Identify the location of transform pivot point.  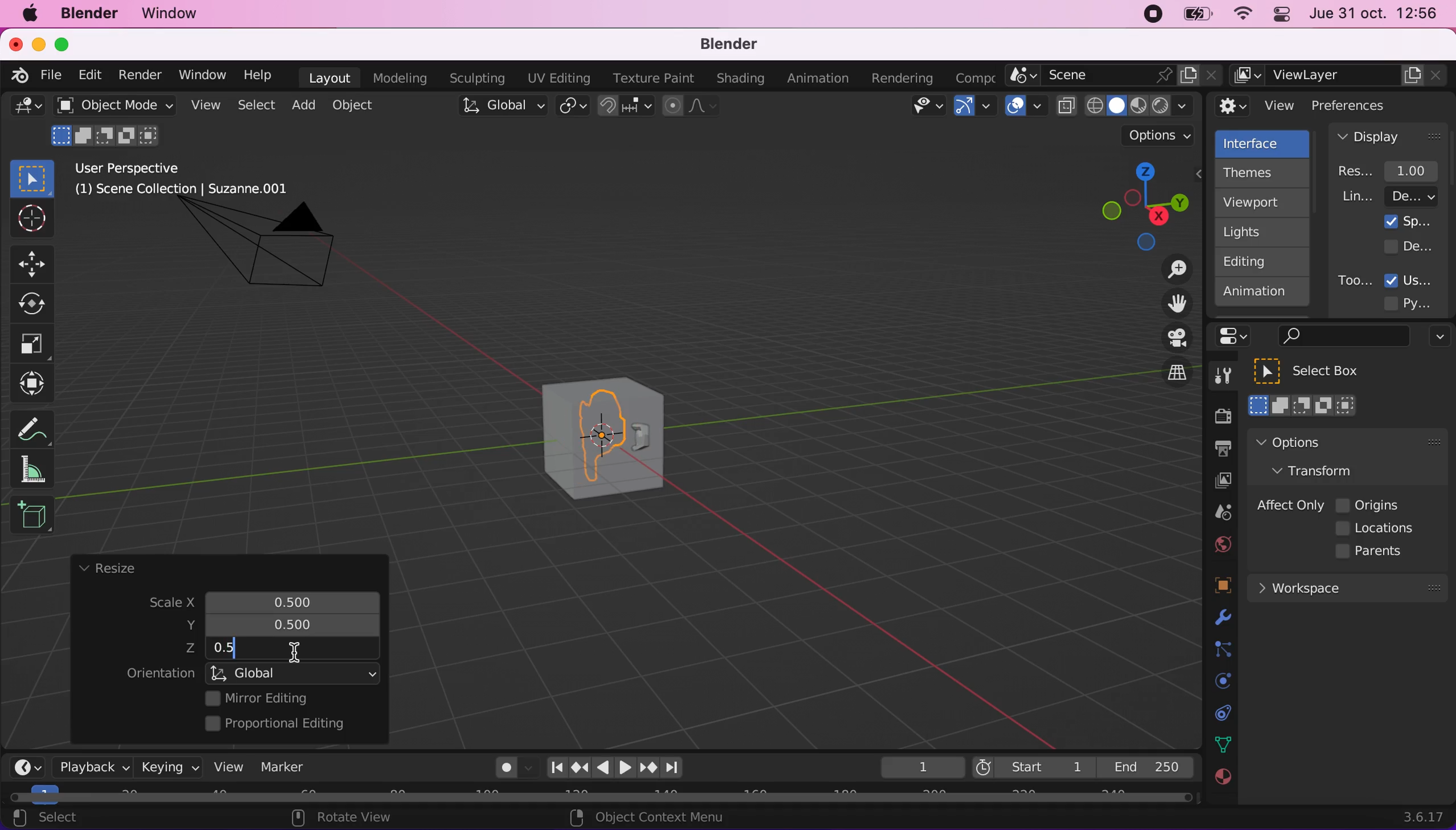
(574, 107).